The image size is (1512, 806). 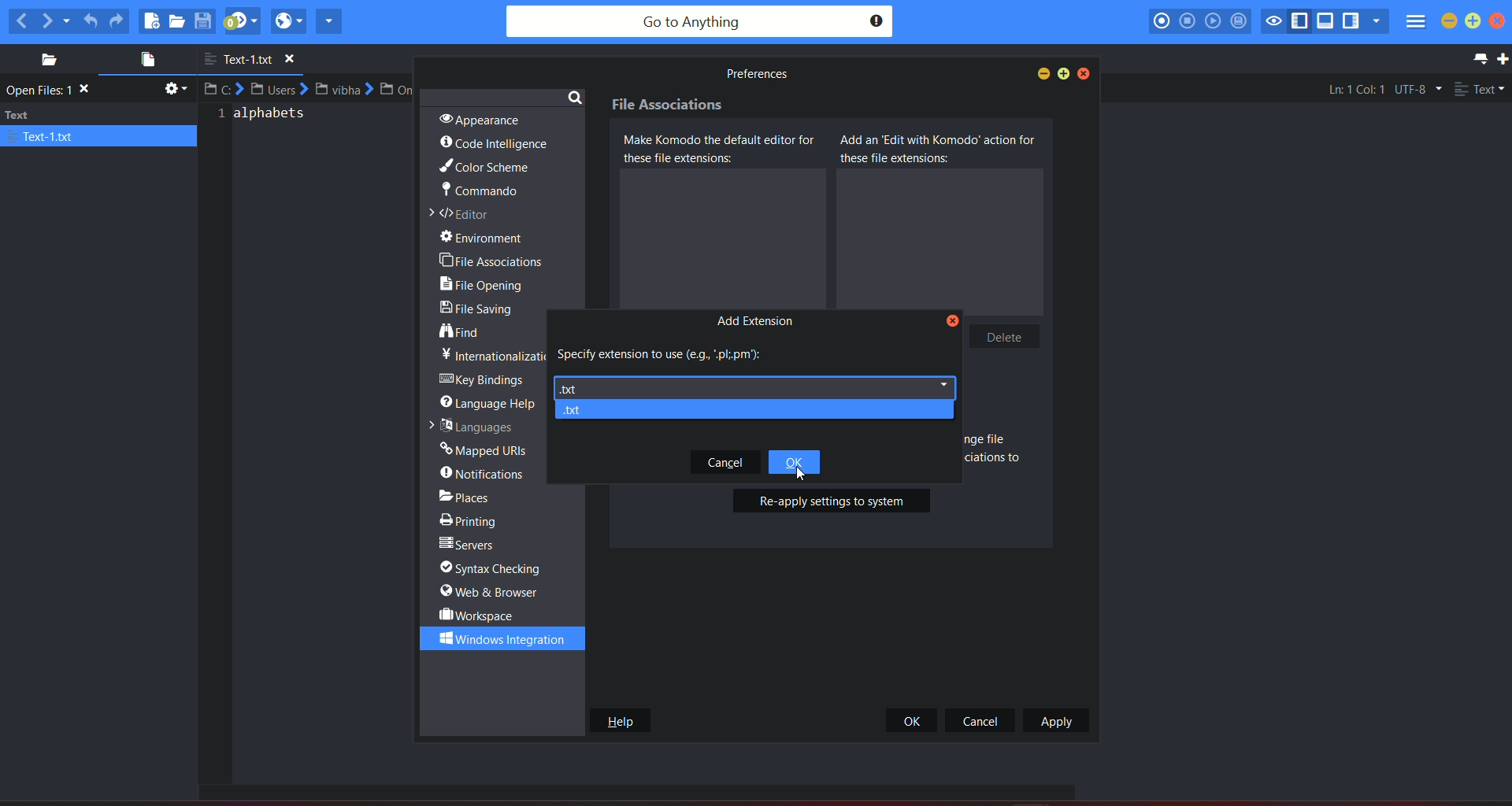 What do you see at coordinates (699, 22) in the screenshot?
I see `search bar` at bounding box center [699, 22].